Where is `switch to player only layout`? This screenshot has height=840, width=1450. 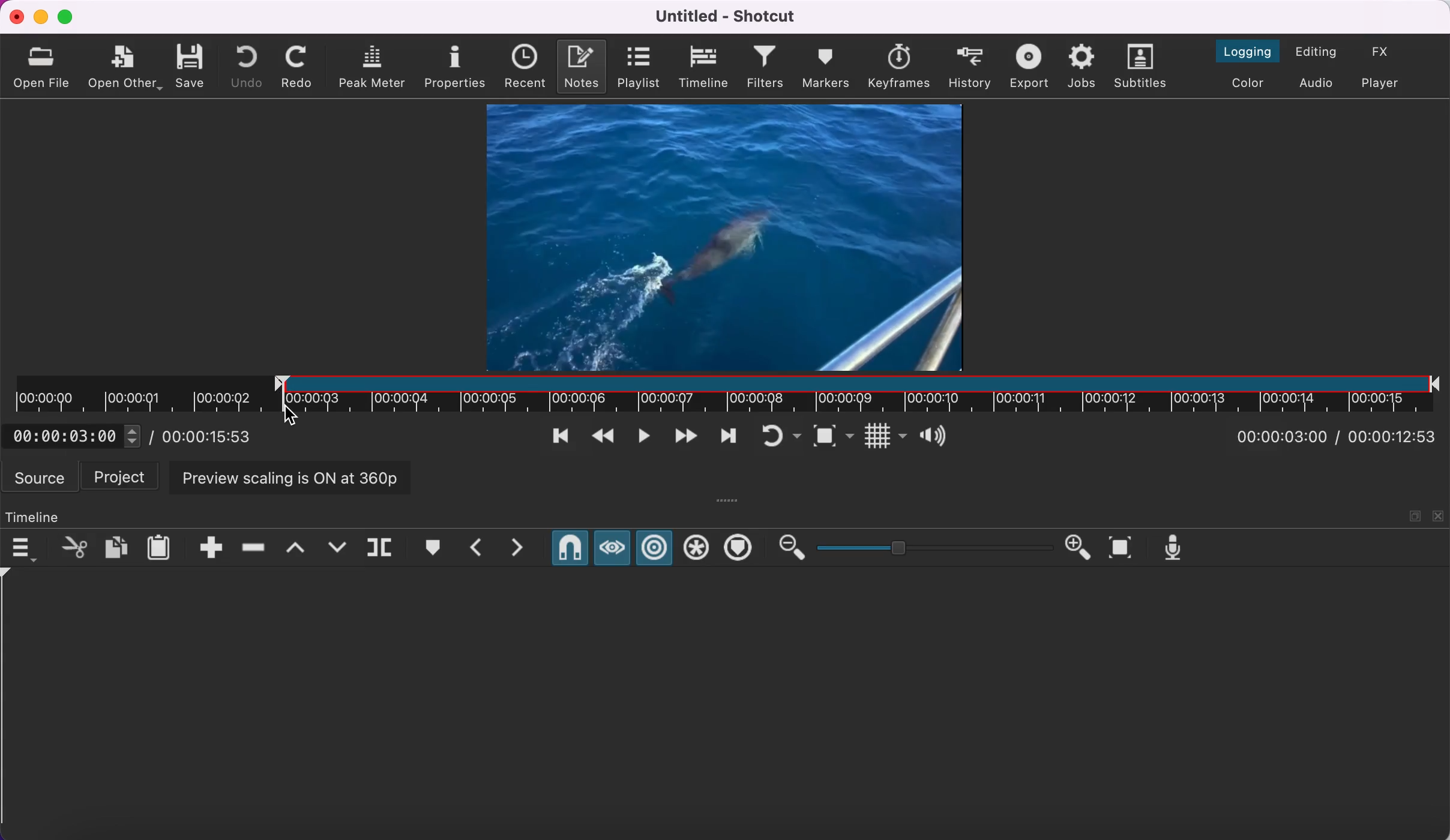 switch to player only layout is located at coordinates (1386, 85).